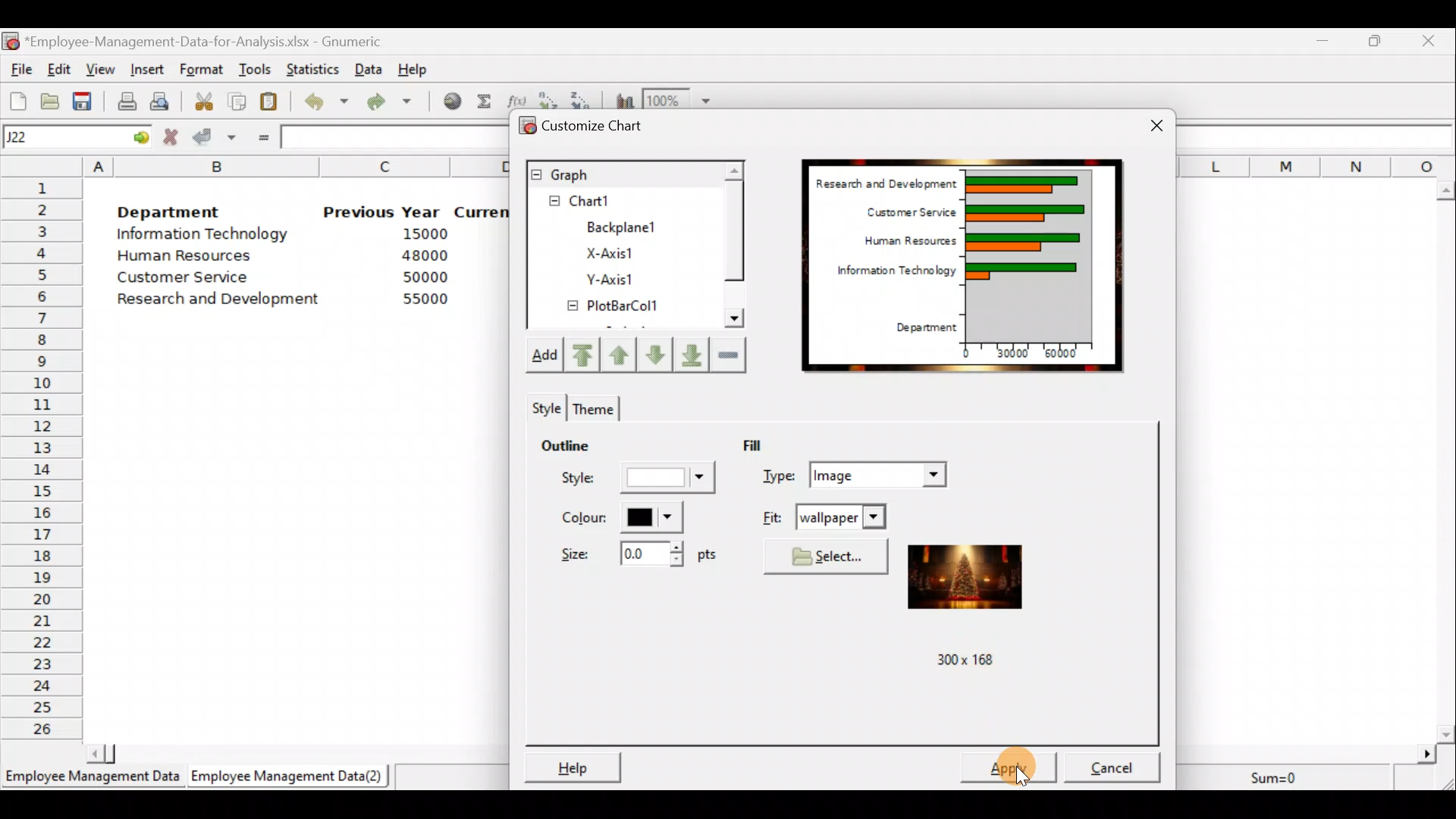 The height and width of the screenshot is (819, 1456). Describe the element at coordinates (604, 201) in the screenshot. I see `Chart1` at that location.